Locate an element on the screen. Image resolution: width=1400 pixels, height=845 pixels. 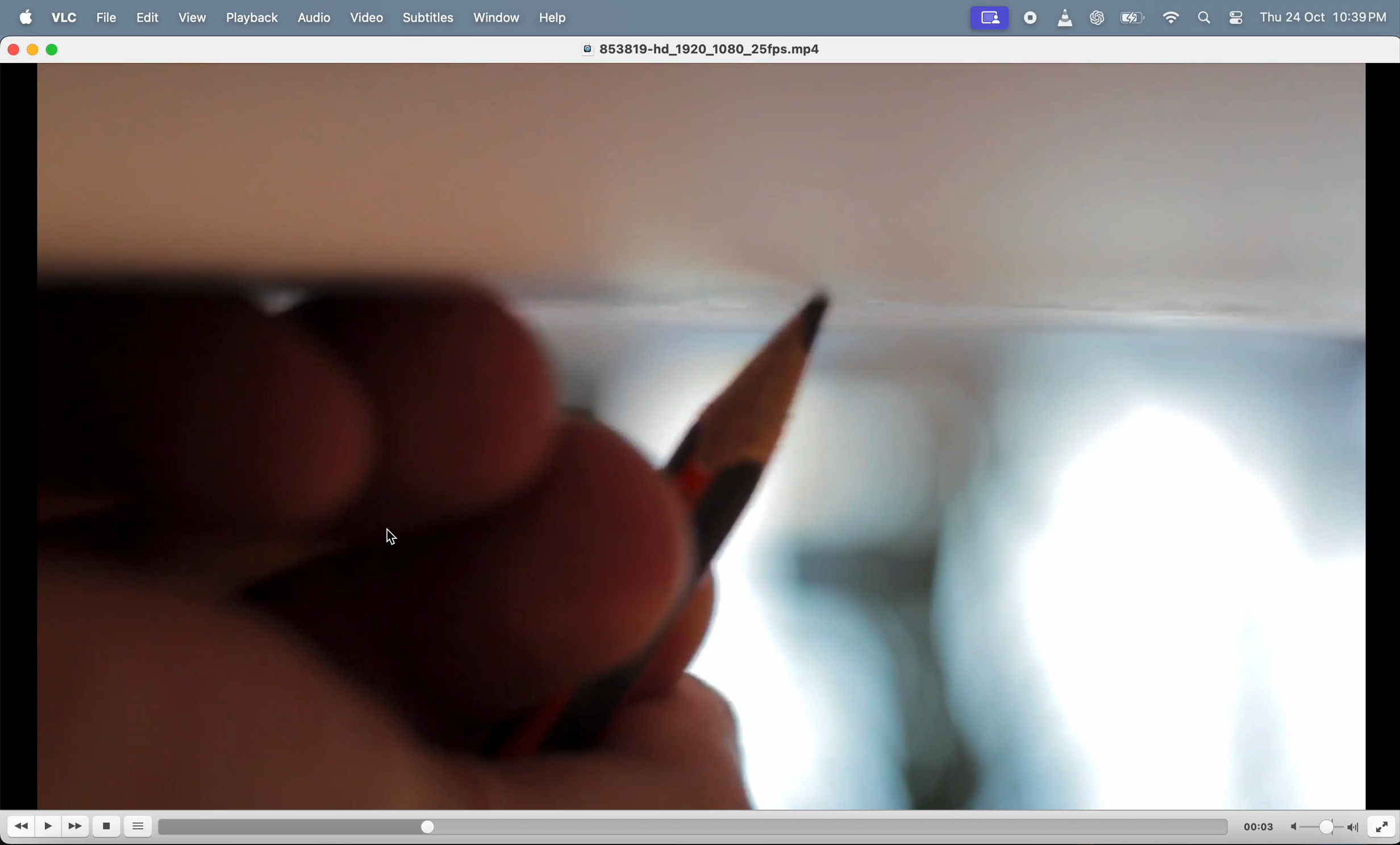
chatgpt is located at coordinates (1101, 19).